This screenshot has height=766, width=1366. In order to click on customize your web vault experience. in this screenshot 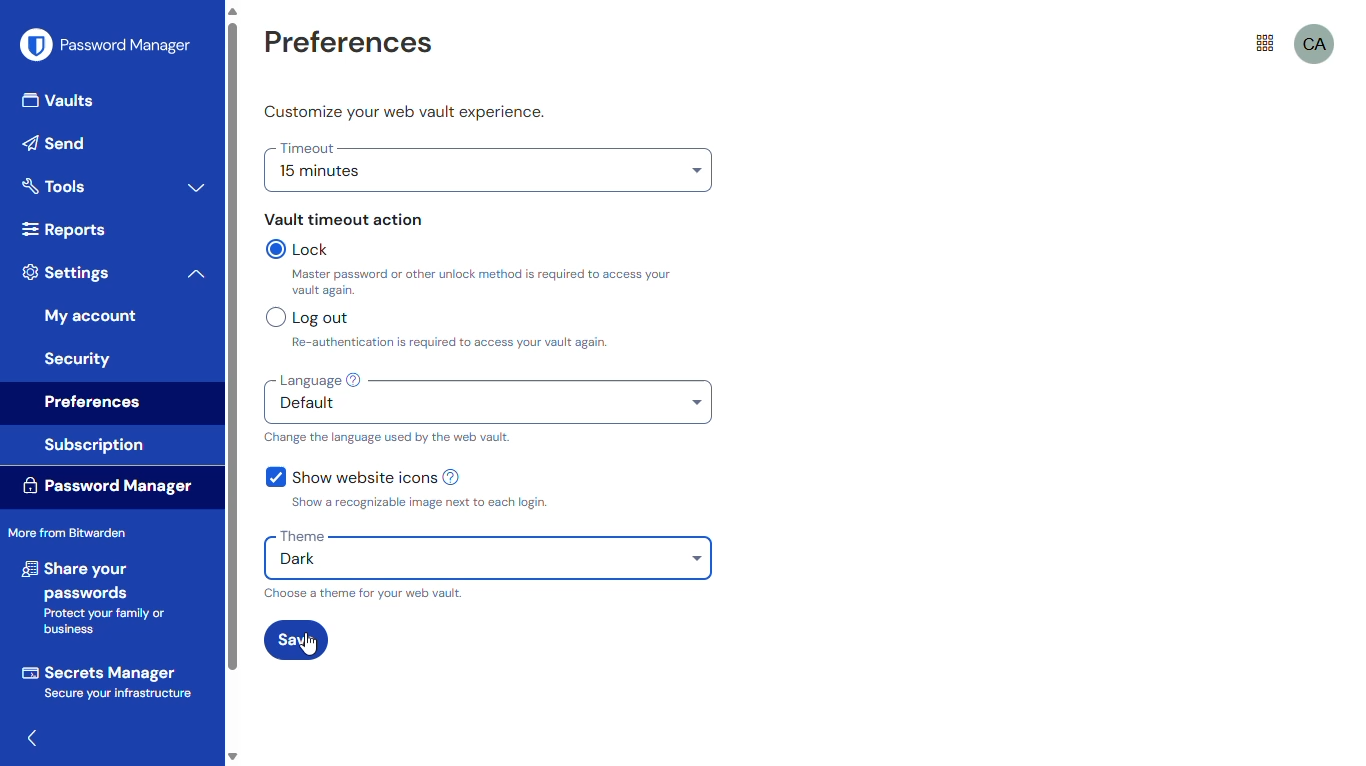, I will do `click(405, 112)`.